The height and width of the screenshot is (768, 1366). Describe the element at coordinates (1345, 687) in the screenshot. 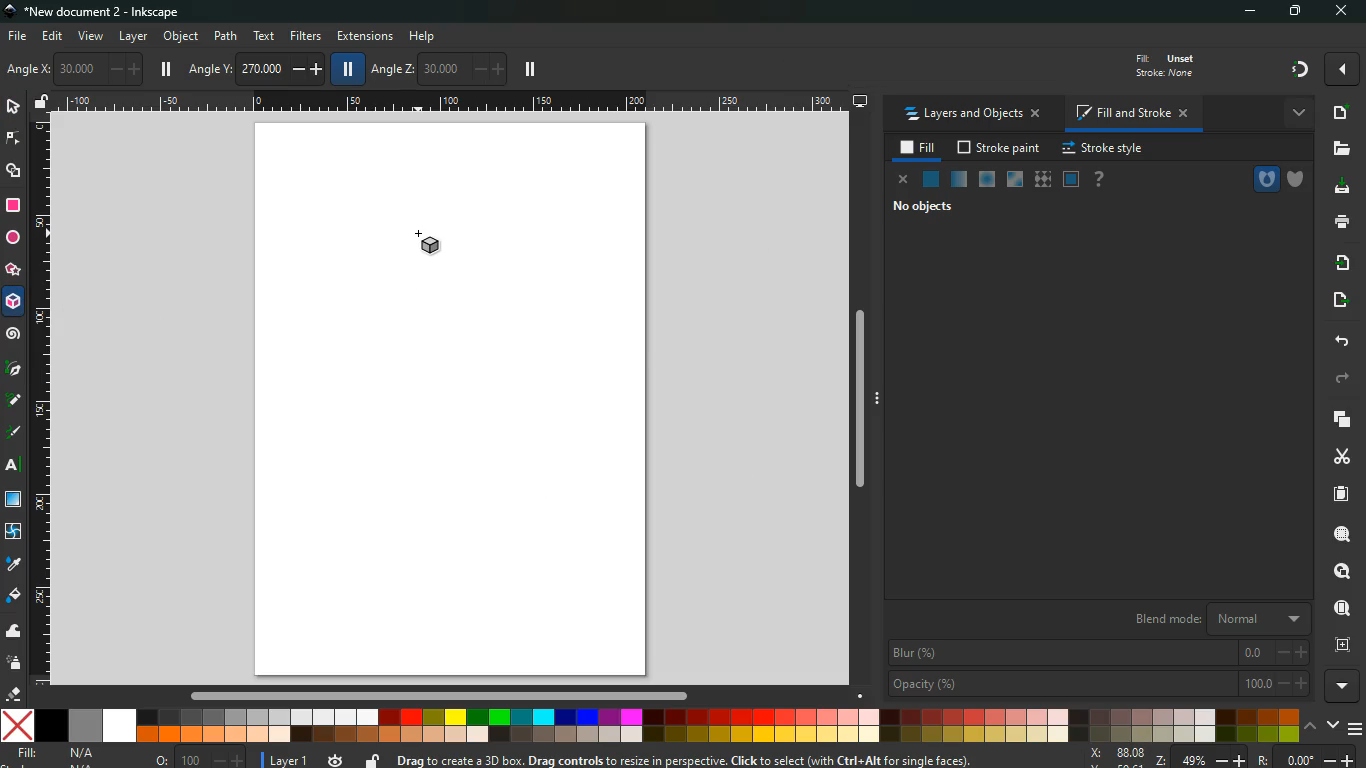

I see `more` at that location.